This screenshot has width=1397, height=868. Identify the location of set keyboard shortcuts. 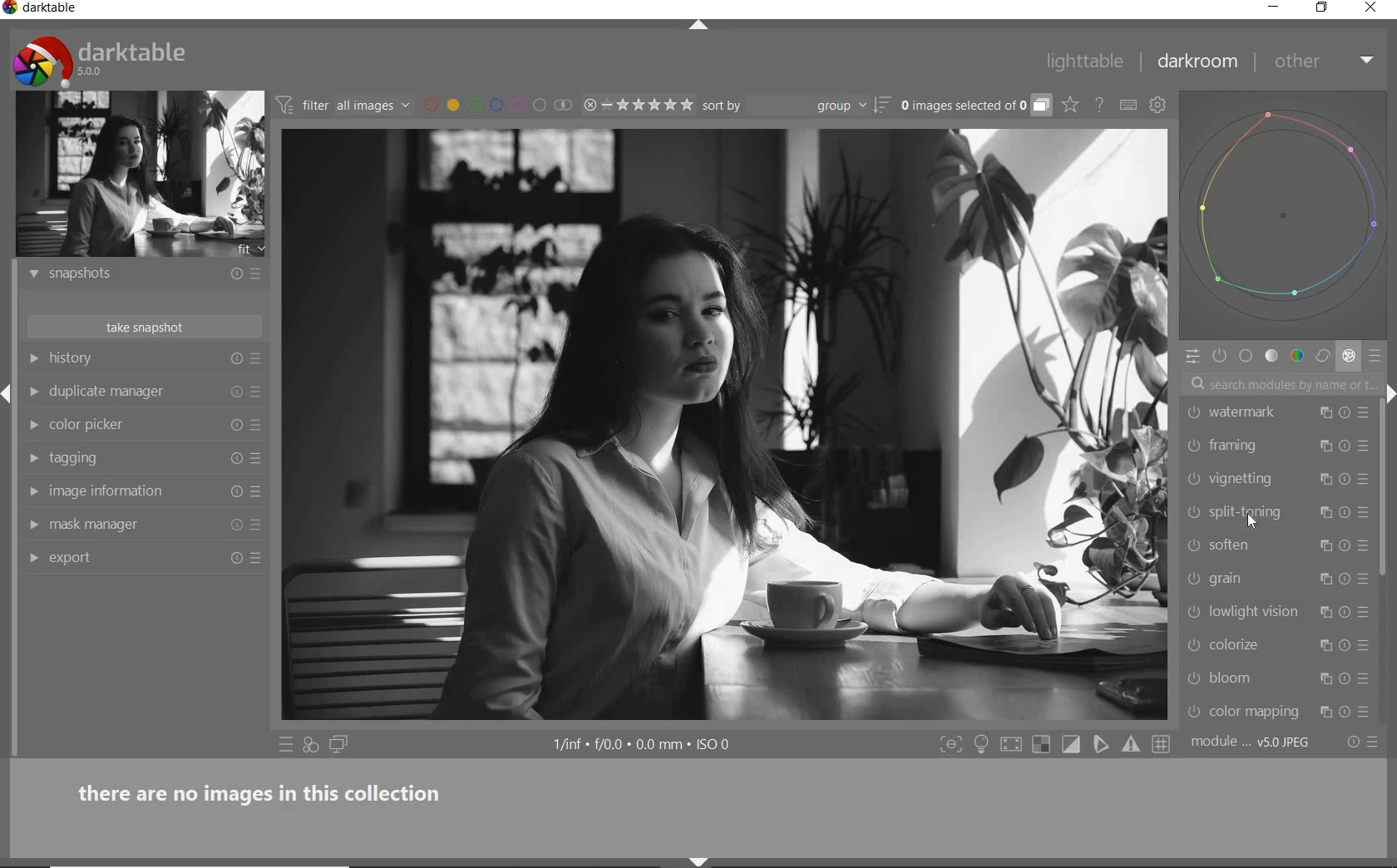
(1128, 105).